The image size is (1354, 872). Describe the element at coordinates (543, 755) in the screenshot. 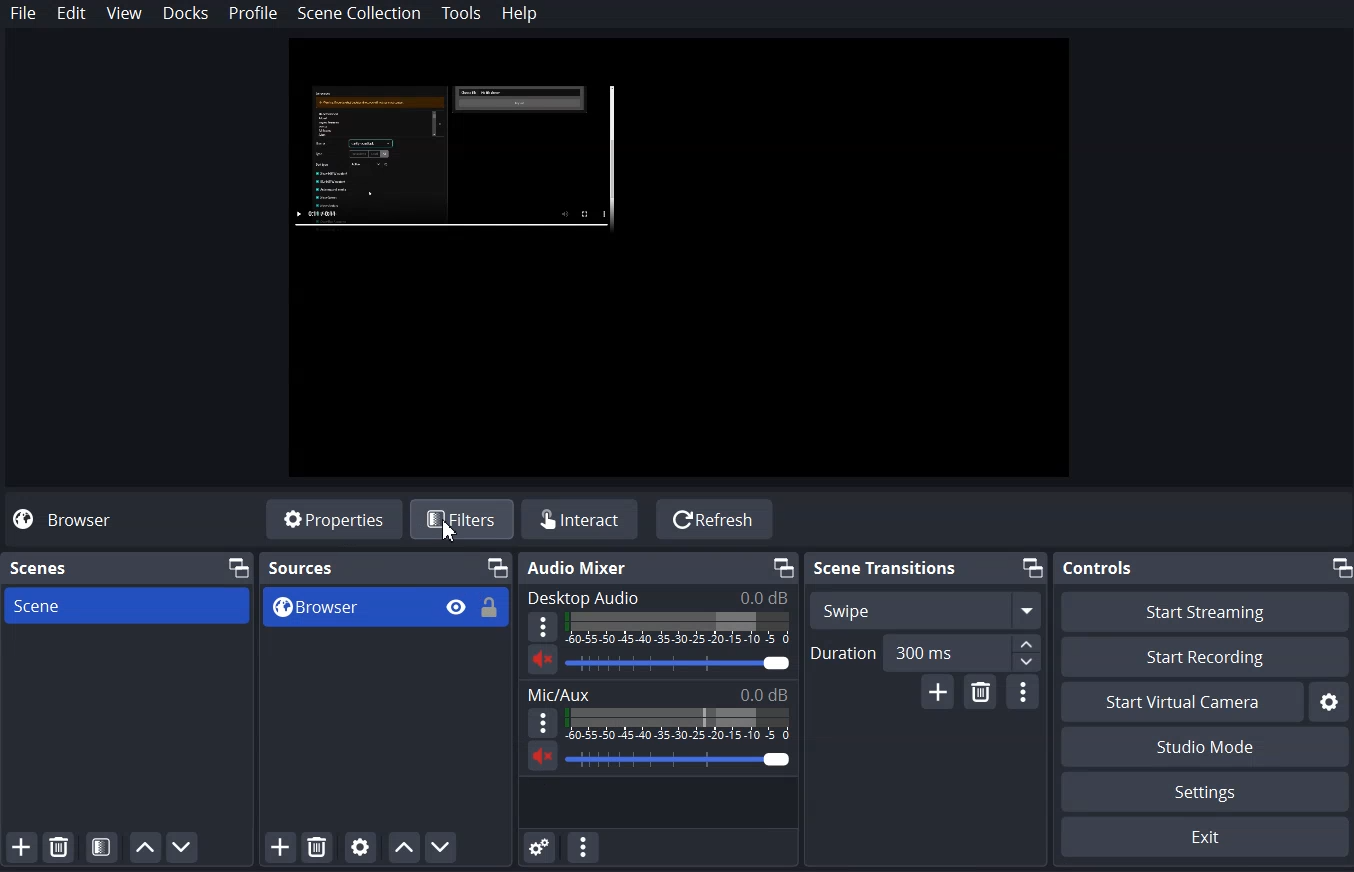

I see `Volume` at that location.